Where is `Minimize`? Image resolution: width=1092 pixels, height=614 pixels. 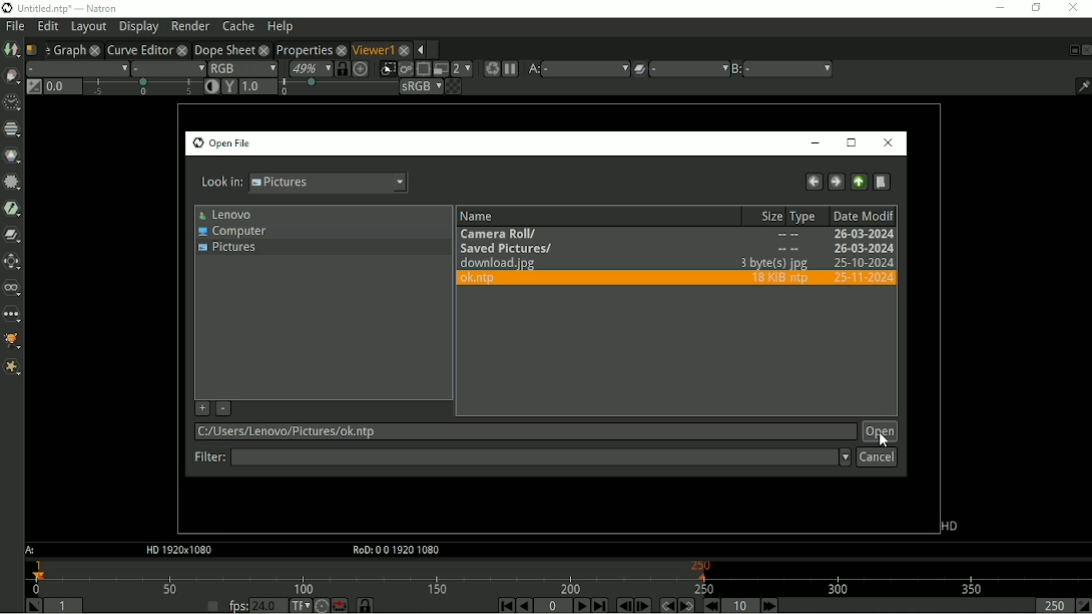
Minimize is located at coordinates (815, 143).